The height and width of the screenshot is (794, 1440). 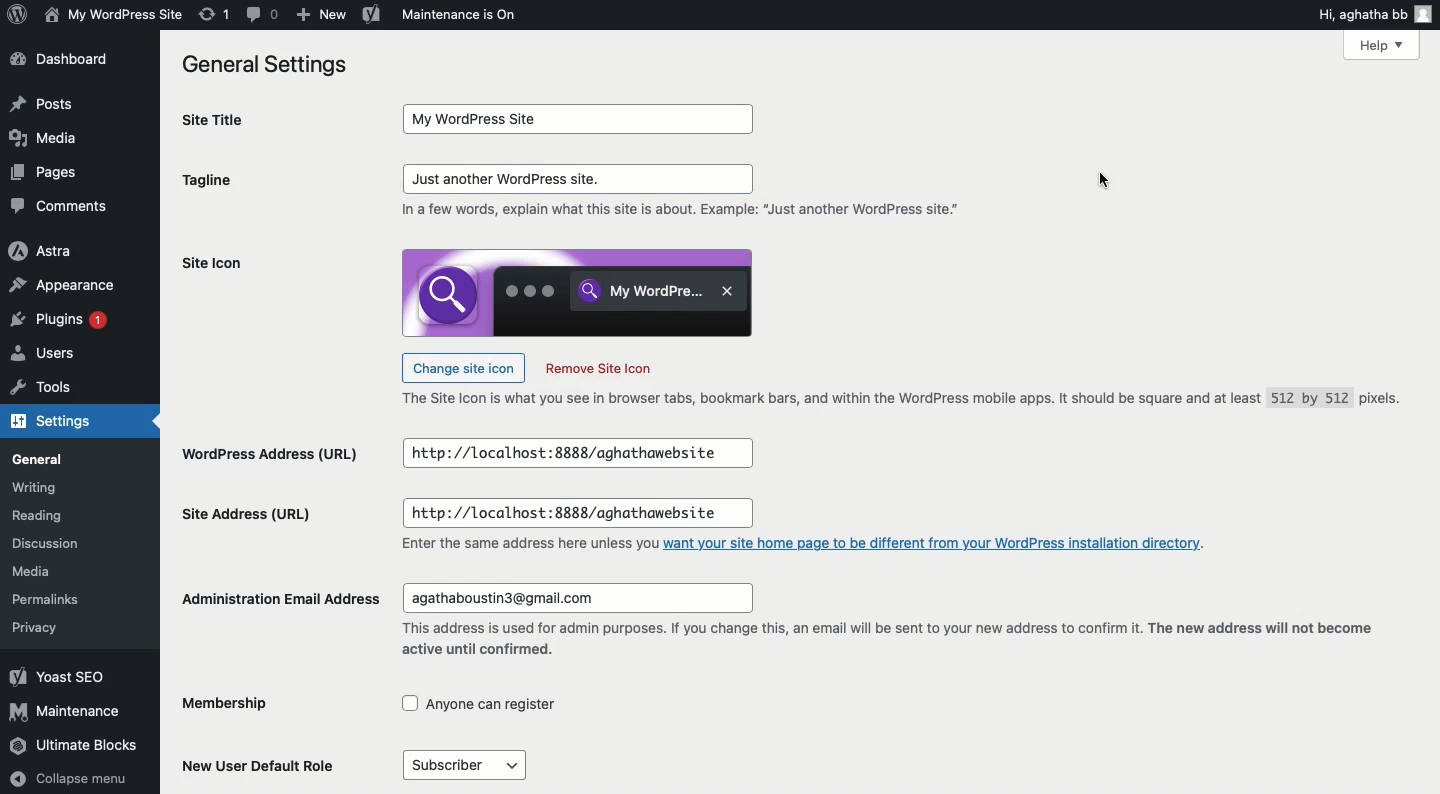 What do you see at coordinates (37, 572) in the screenshot?
I see `Media` at bounding box center [37, 572].